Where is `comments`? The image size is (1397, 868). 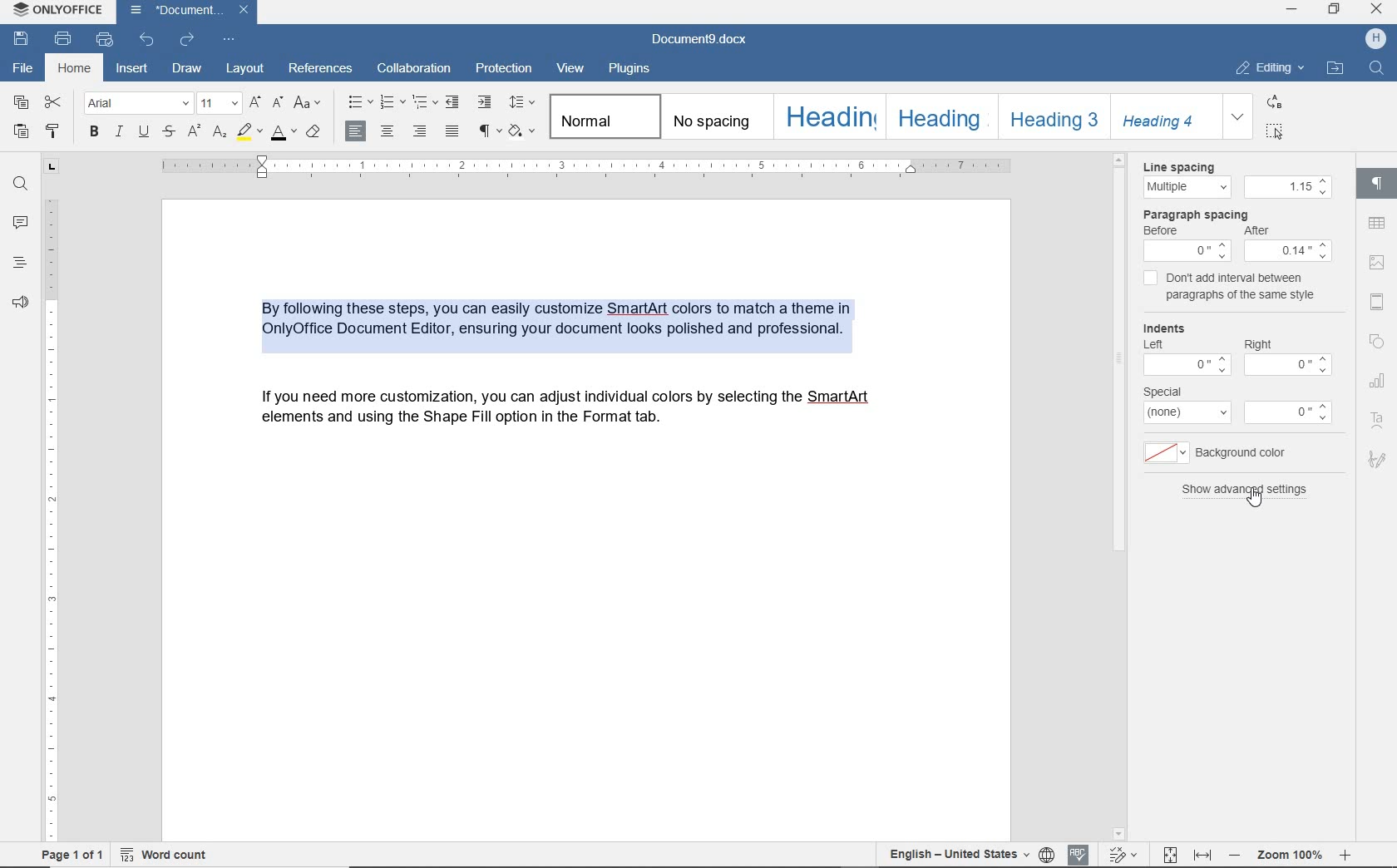
comments is located at coordinates (20, 225).